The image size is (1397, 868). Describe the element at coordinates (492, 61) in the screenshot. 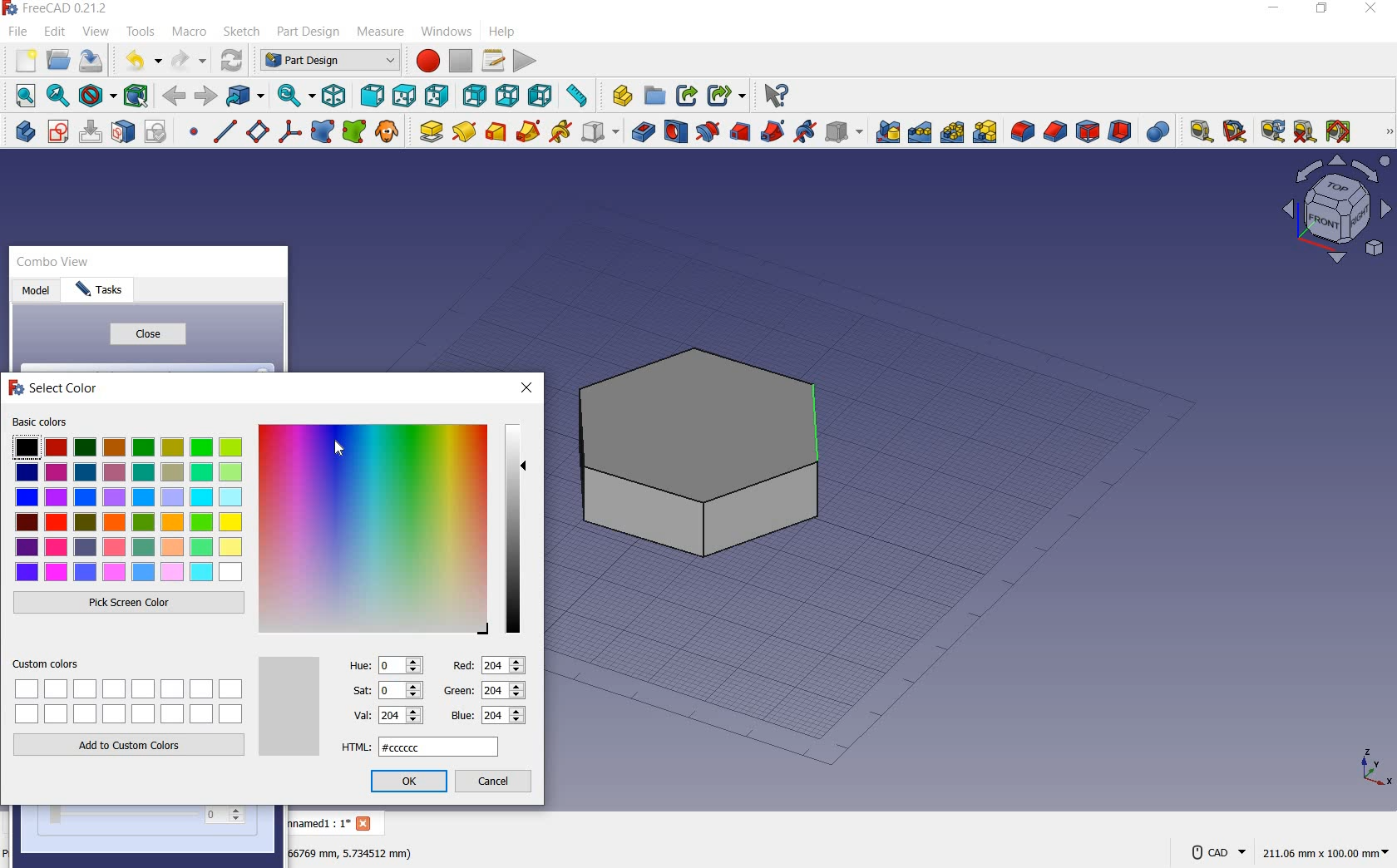

I see `macros` at that location.